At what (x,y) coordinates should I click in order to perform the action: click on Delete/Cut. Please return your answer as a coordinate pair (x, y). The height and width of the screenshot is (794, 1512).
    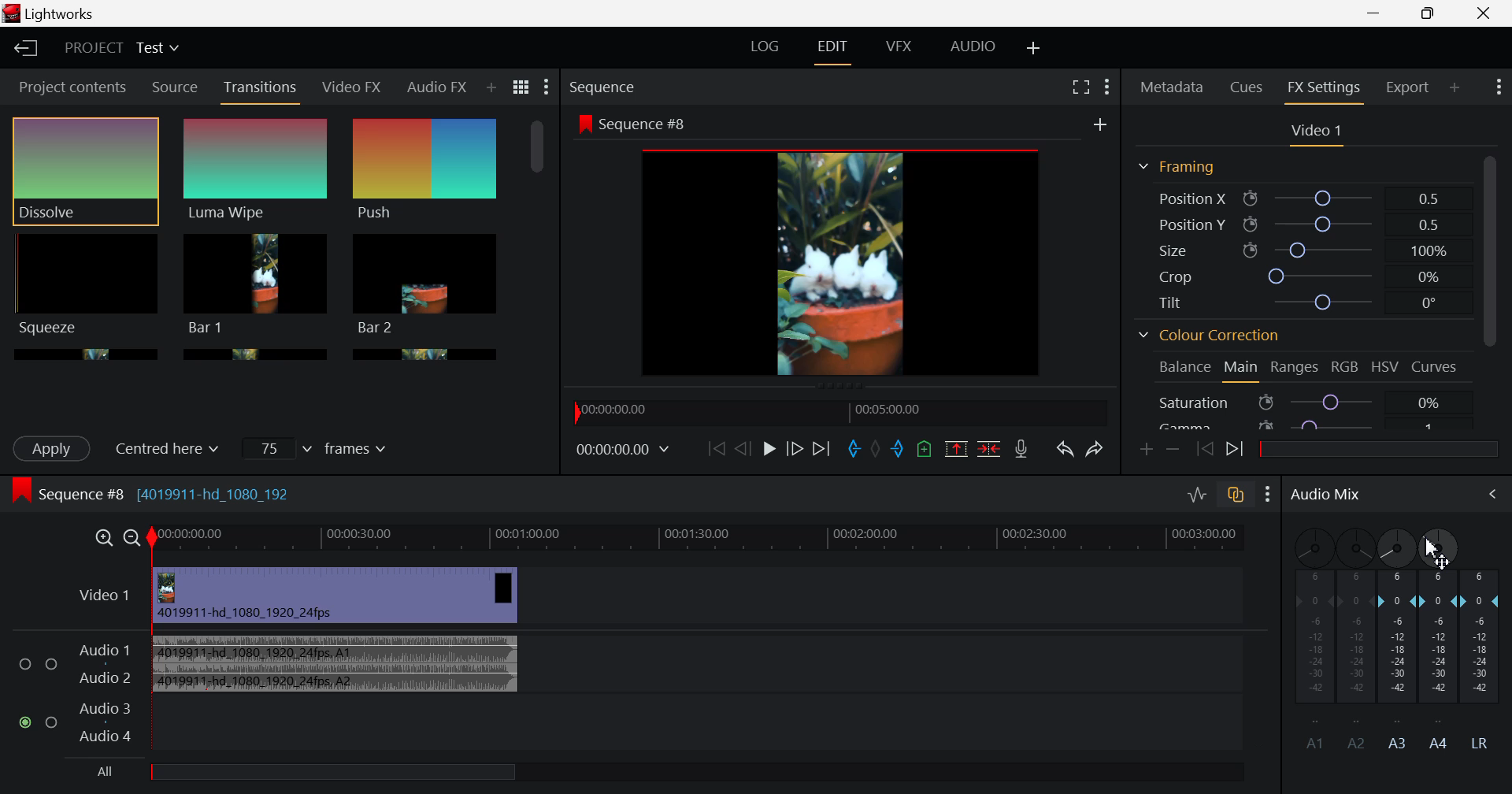
    Looking at the image, I should click on (991, 448).